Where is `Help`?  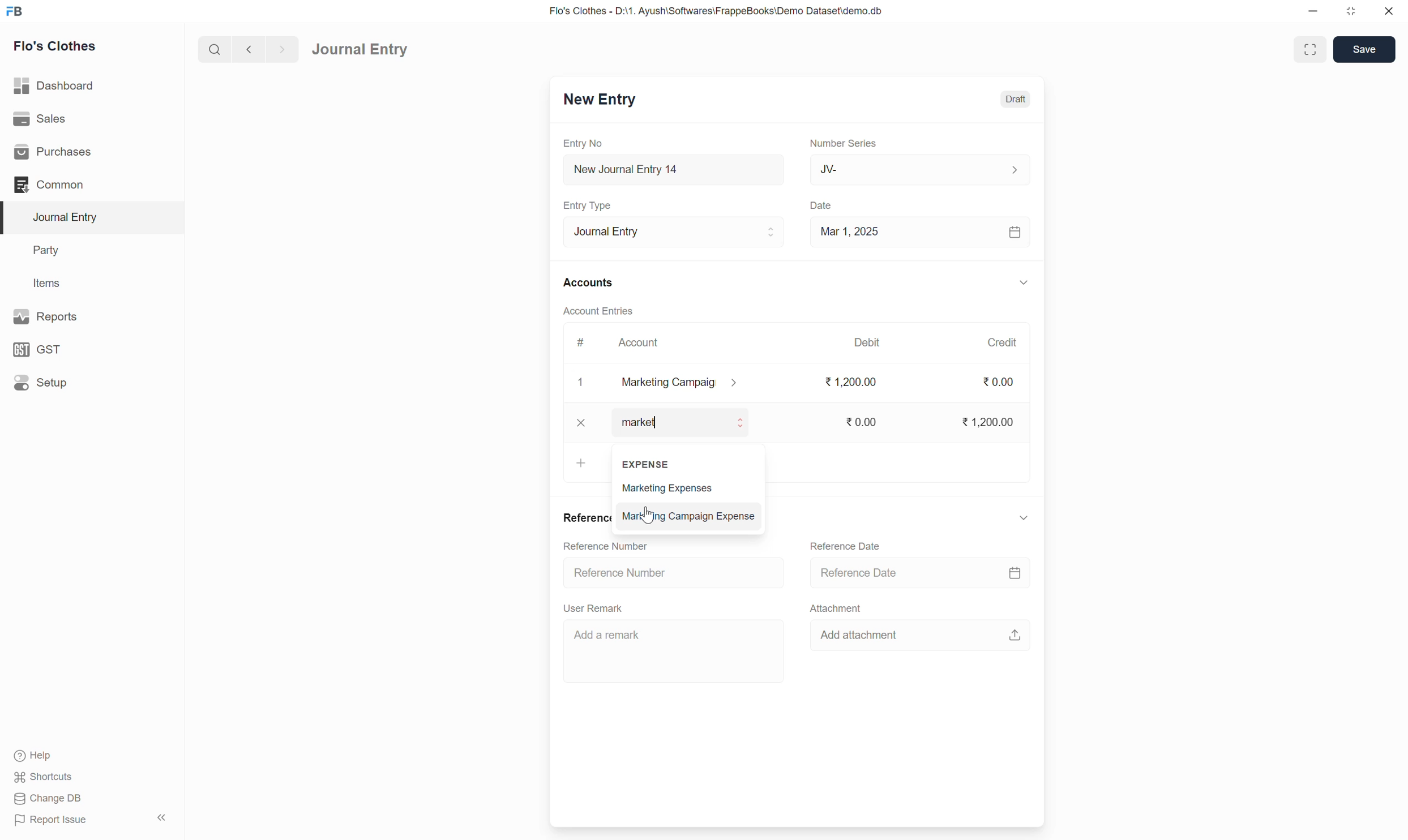
Help is located at coordinates (36, 756).